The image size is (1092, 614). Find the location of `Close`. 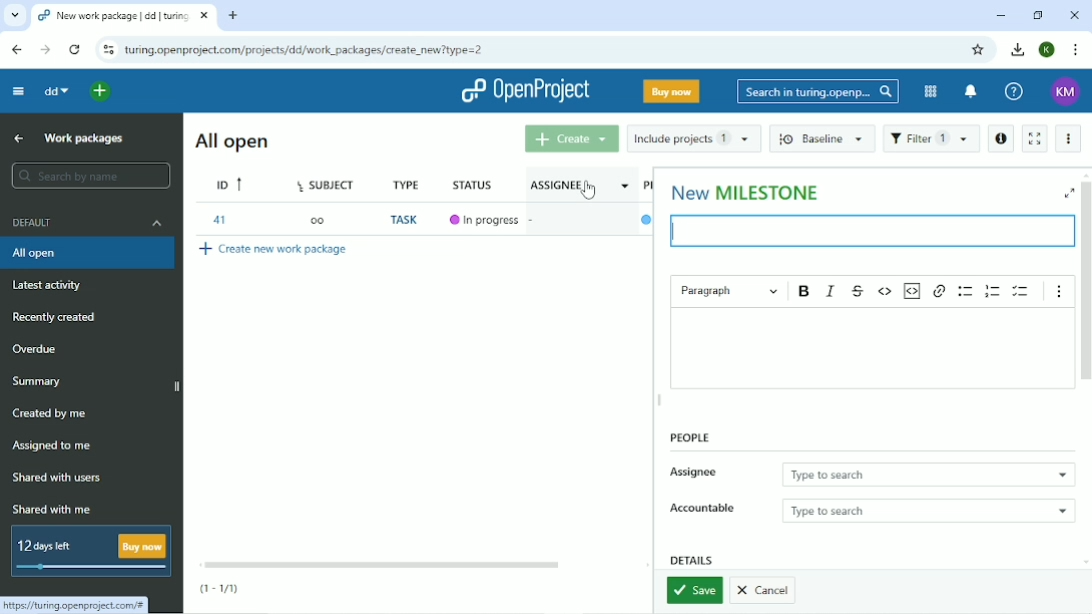

Close is located at coordinates (1075, 16).